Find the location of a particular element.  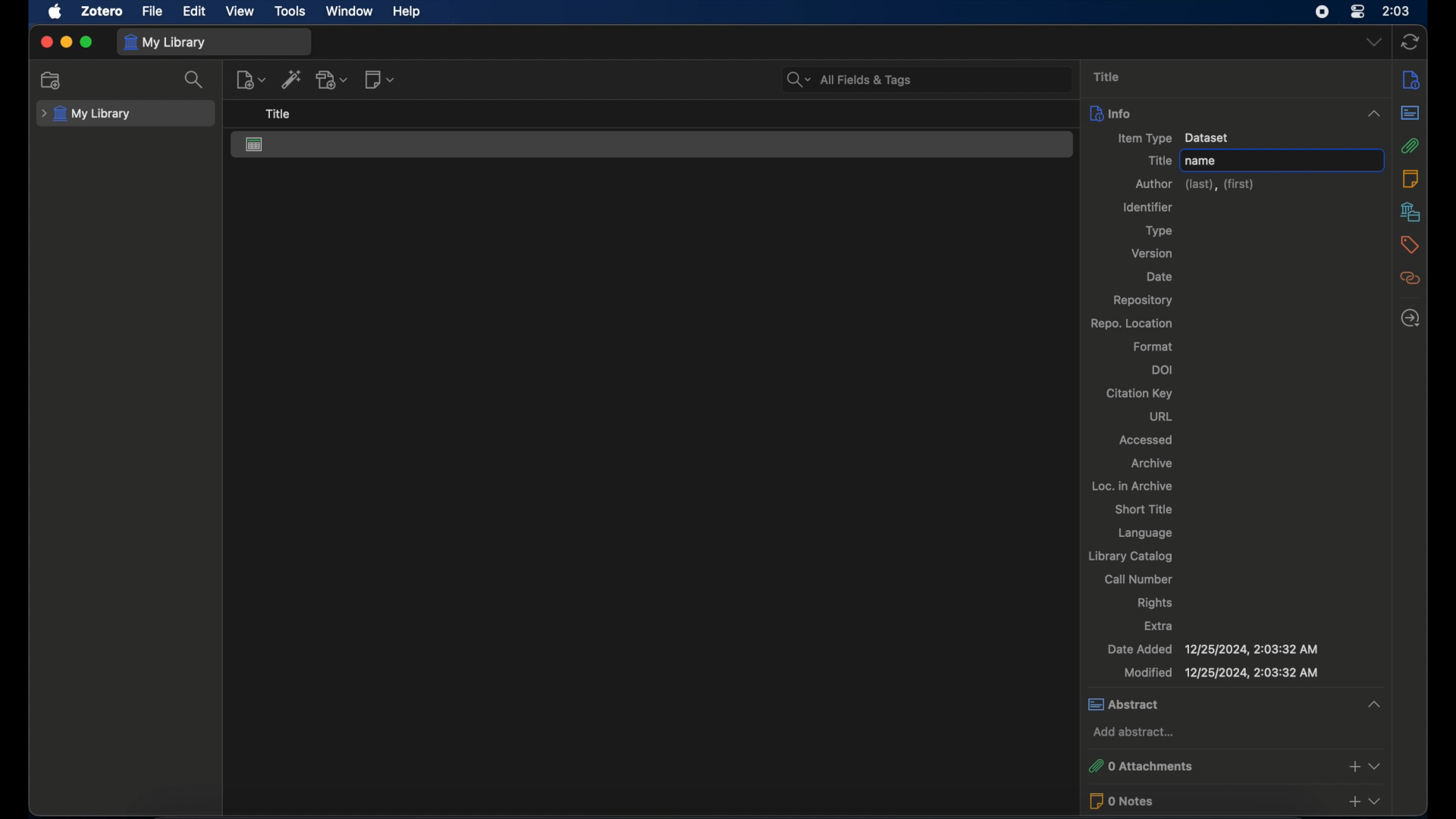

item type is located at coordinates (1171, 138).